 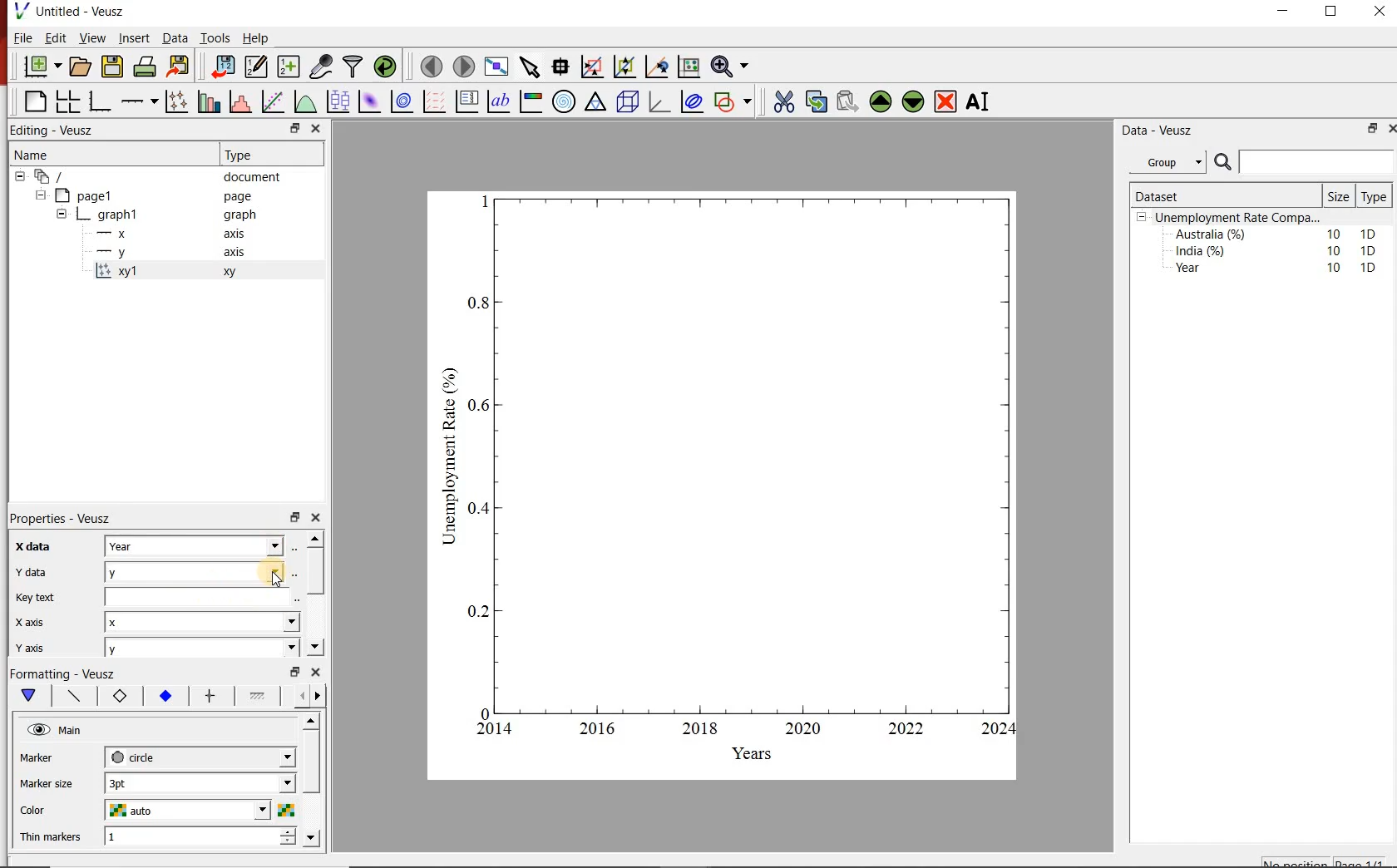 What do you see at coordinates (19, 176) in the screenshot?
I see `collapse` at bounding box center [19, 176].